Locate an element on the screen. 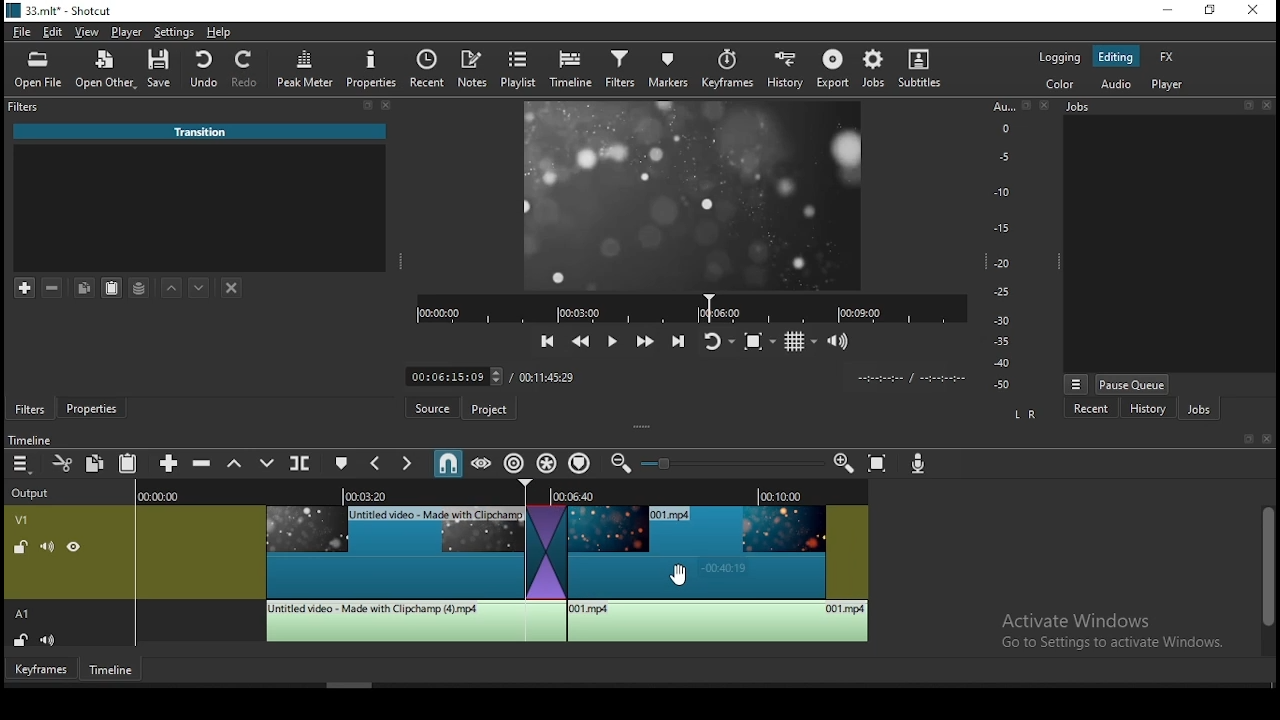 Image resolution: width=1280 pixels, height=720 pixels. color is located at coordinates (1061, 83).